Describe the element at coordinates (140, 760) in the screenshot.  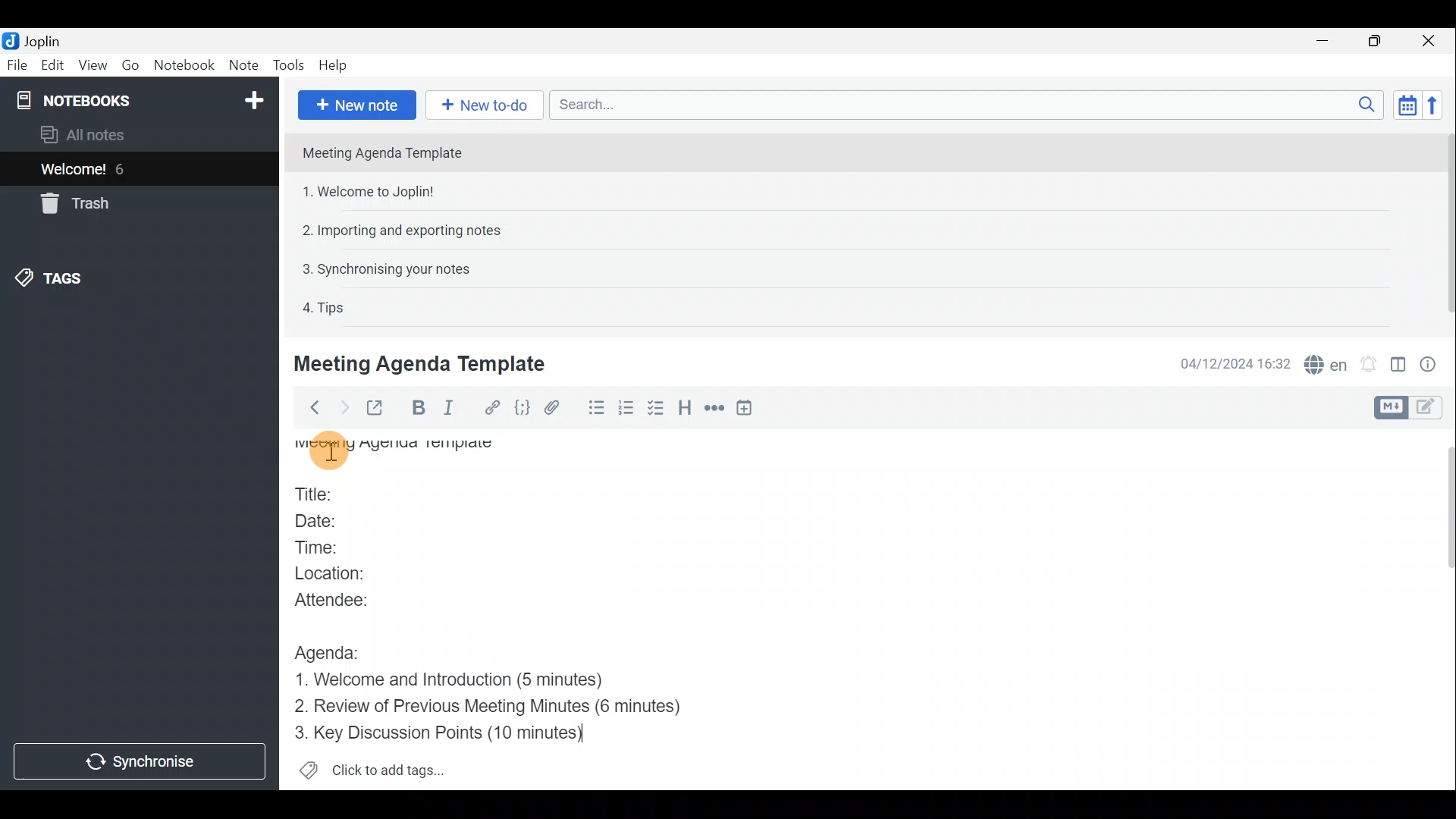
I see `Synchronise` at that location.